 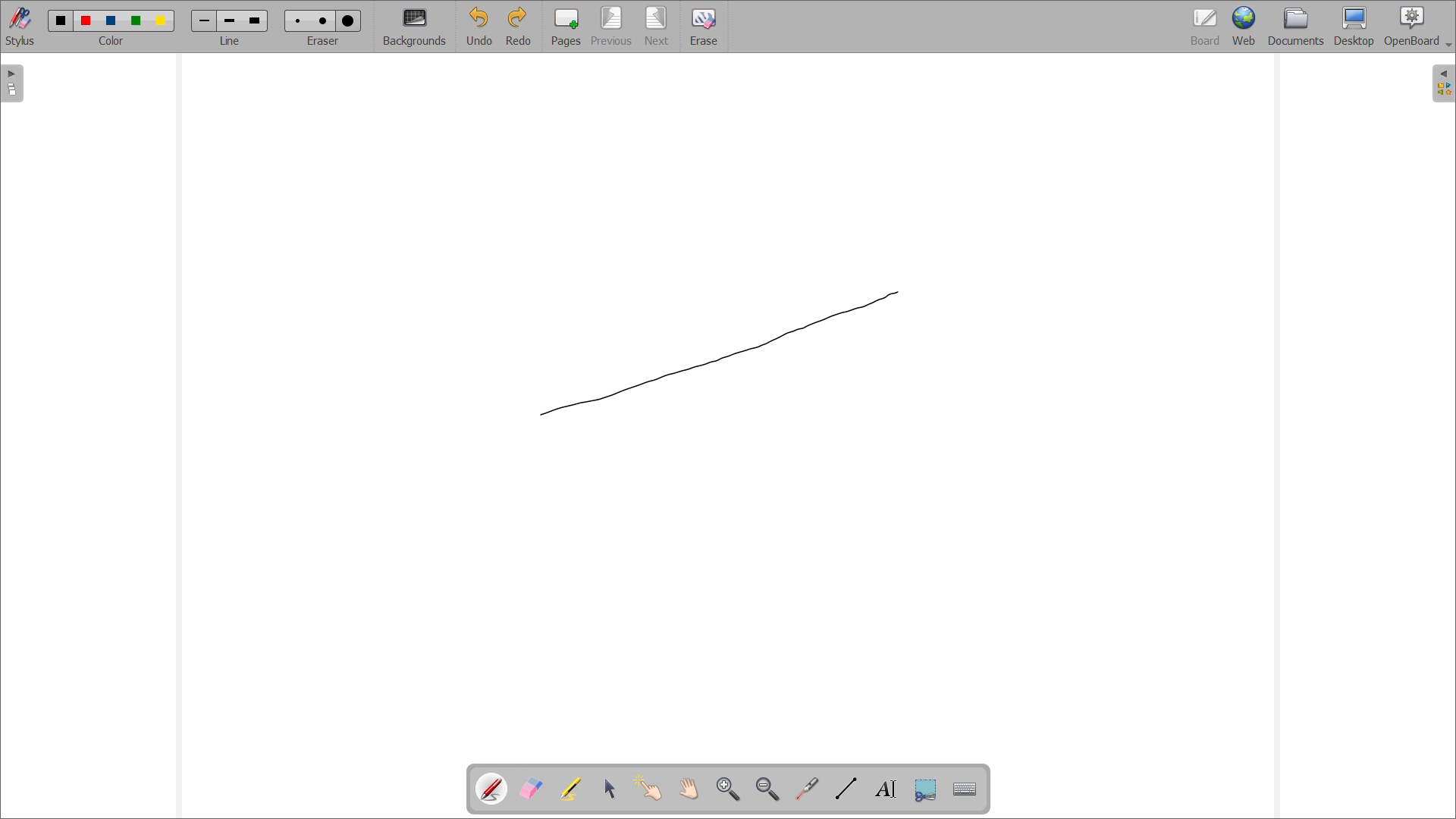 What do you see at coordinates (768, 789) in the screenshot?
I see `zoom out` at bounding box center [768, 789].